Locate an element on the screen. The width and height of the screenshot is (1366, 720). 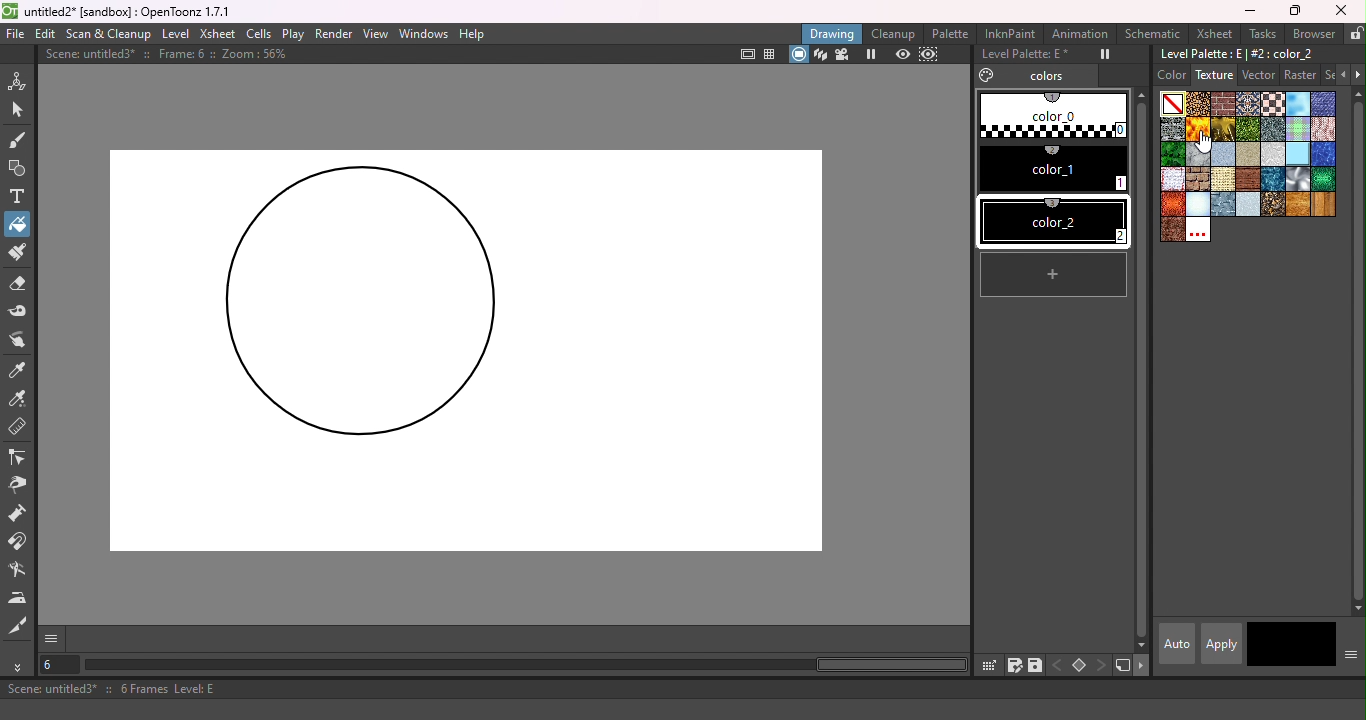
Plain color is located at coordinates (1172, 103).